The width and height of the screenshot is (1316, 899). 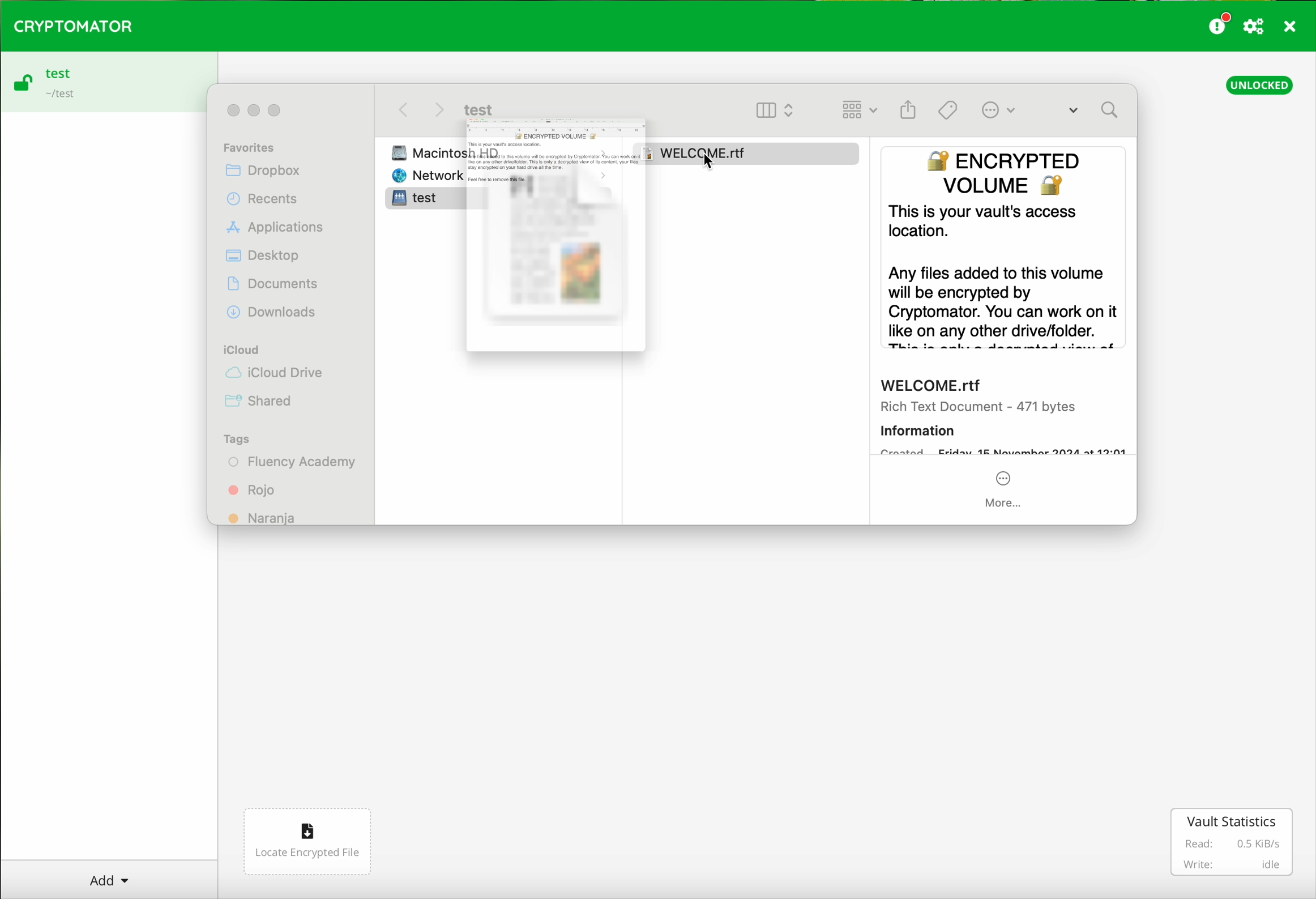 I want to click on iCloud Drive, so click(x=274, y=372).